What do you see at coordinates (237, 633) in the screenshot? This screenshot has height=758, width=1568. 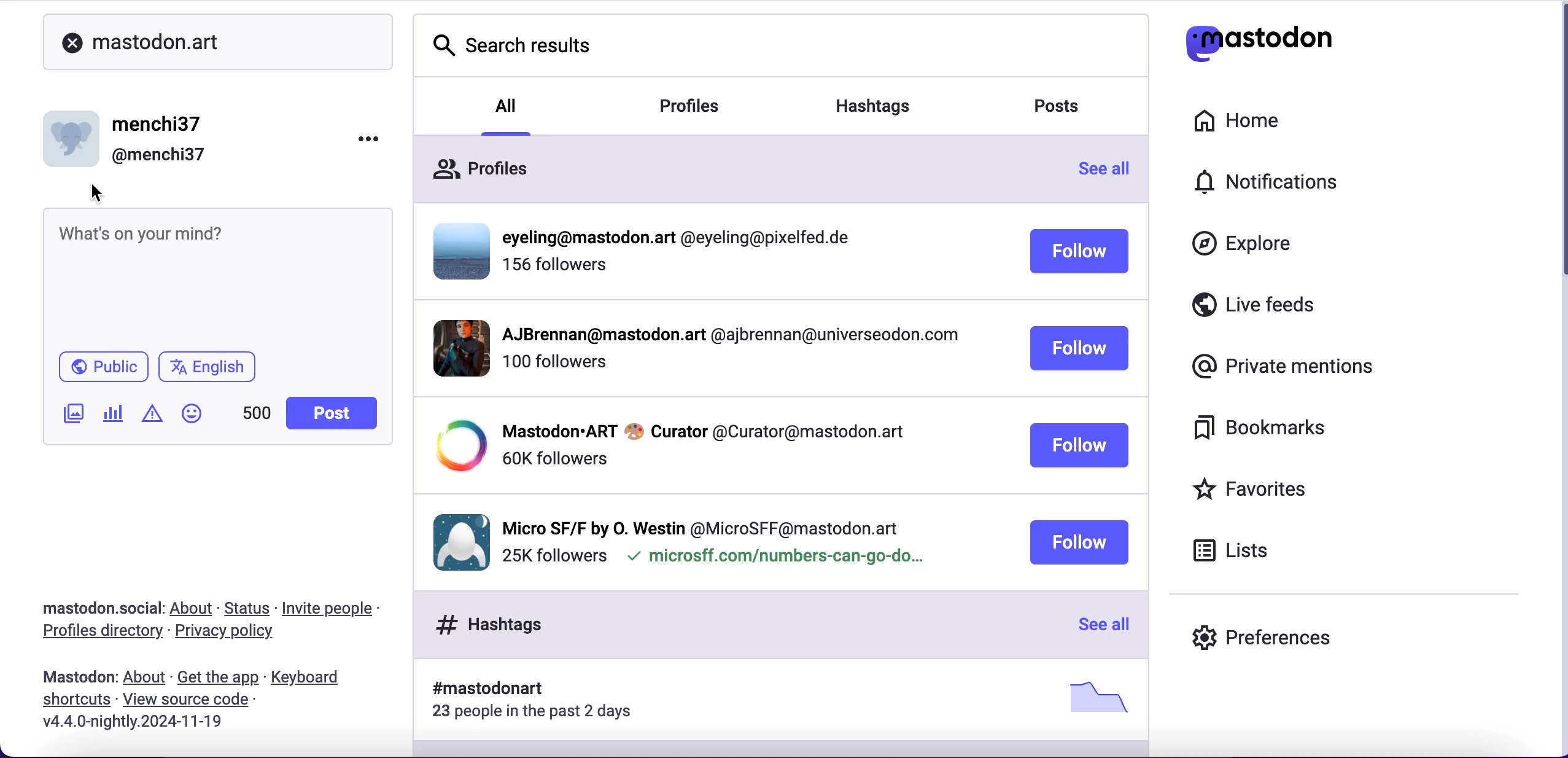 I see `privacy policy` at bounding box center [237, 633].